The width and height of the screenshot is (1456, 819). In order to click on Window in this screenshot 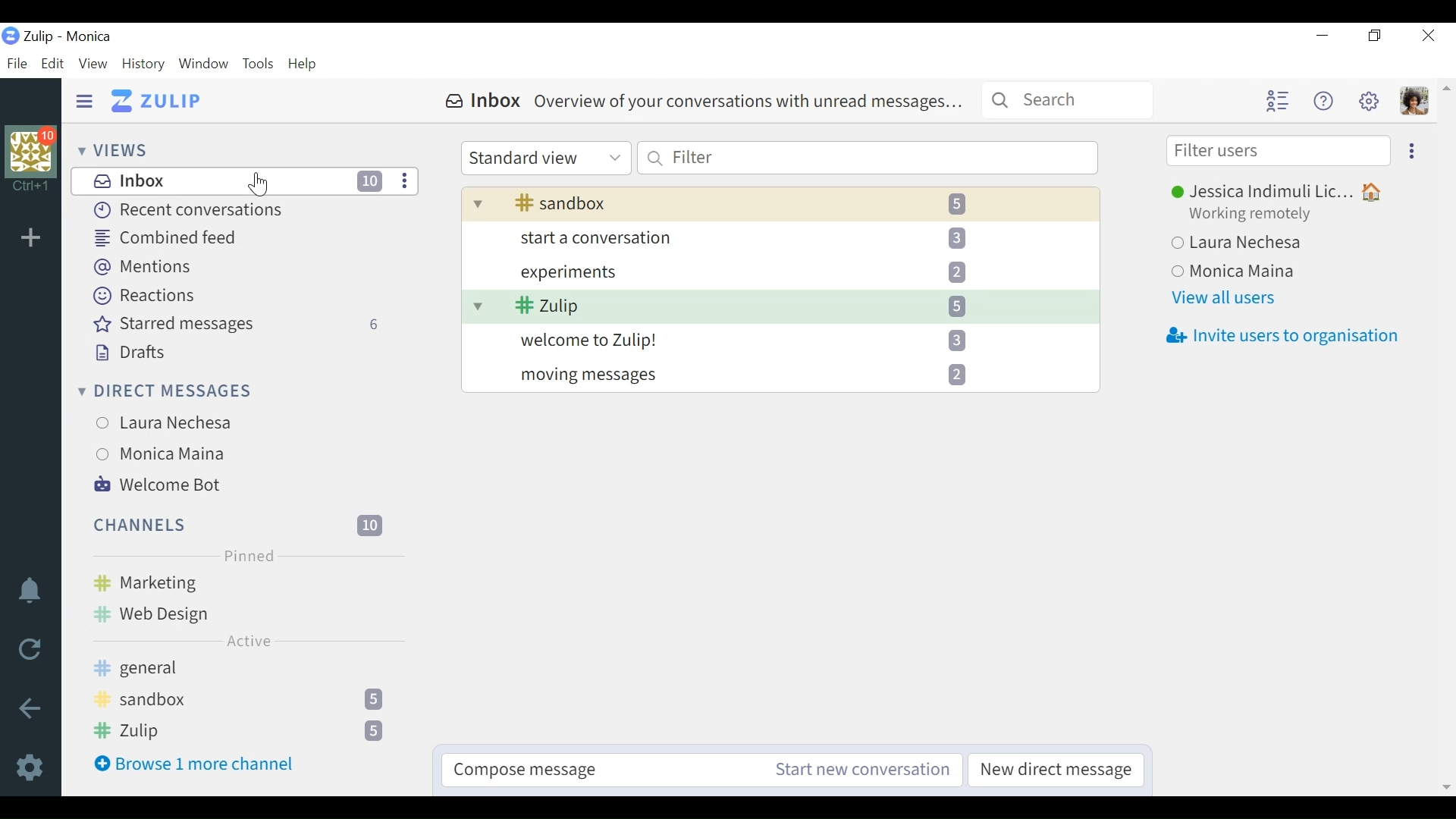, I will do `click(203, 64)`.